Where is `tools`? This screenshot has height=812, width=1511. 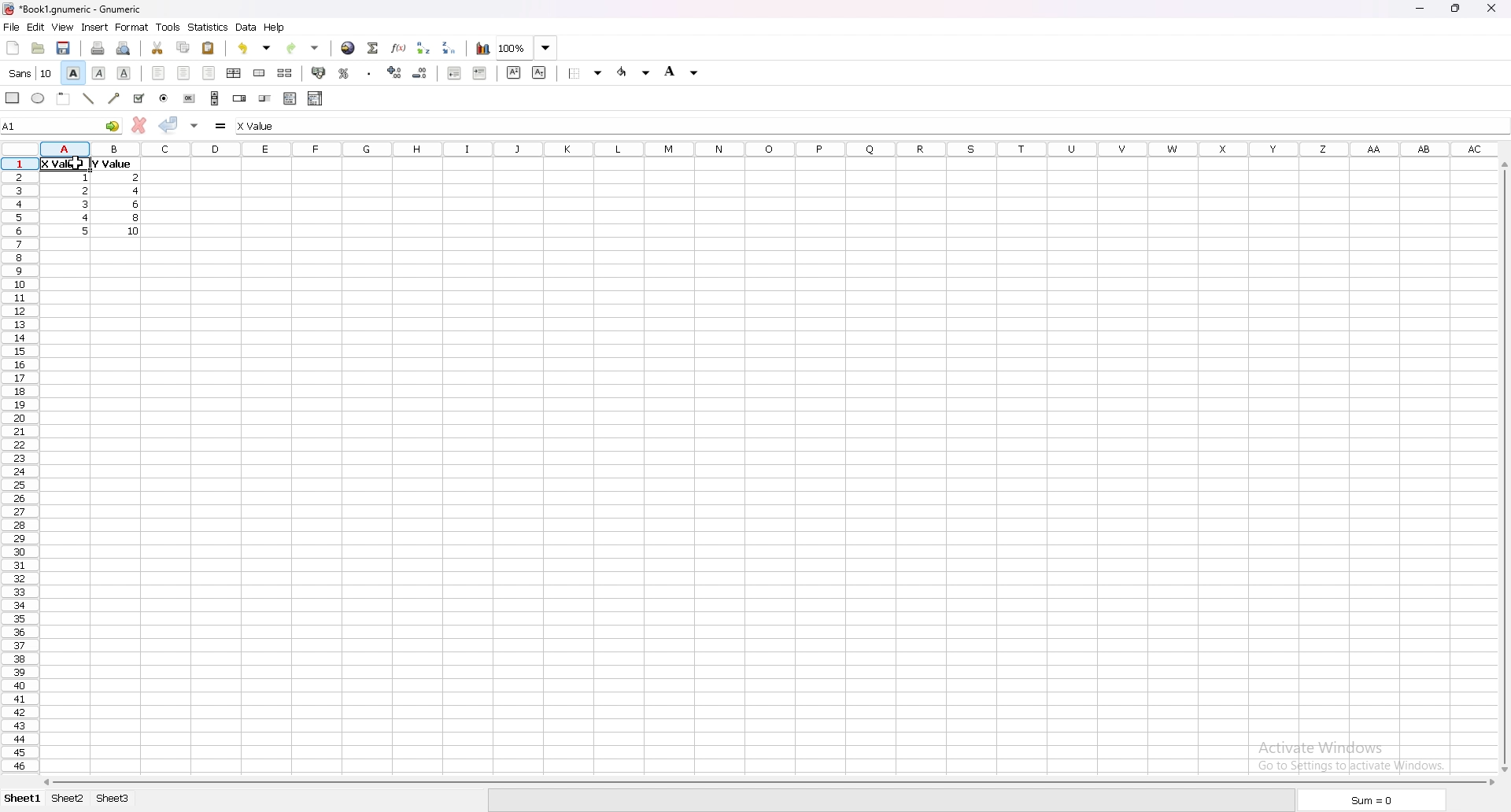 tools is located at coordinates (168, 27).